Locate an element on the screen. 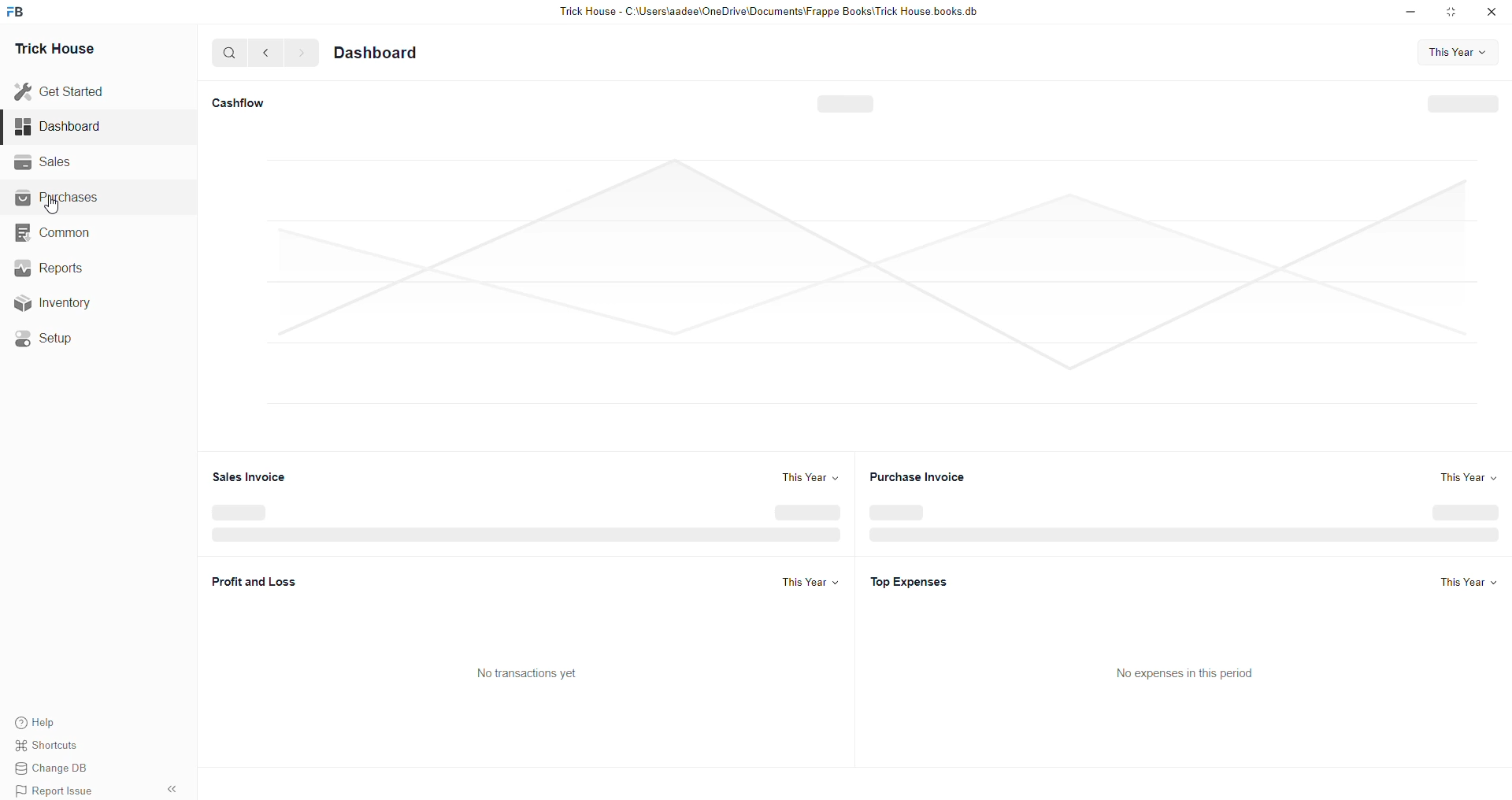 This screenshot has height=800, width=1512. Setup is located at coordinates (45, 339).